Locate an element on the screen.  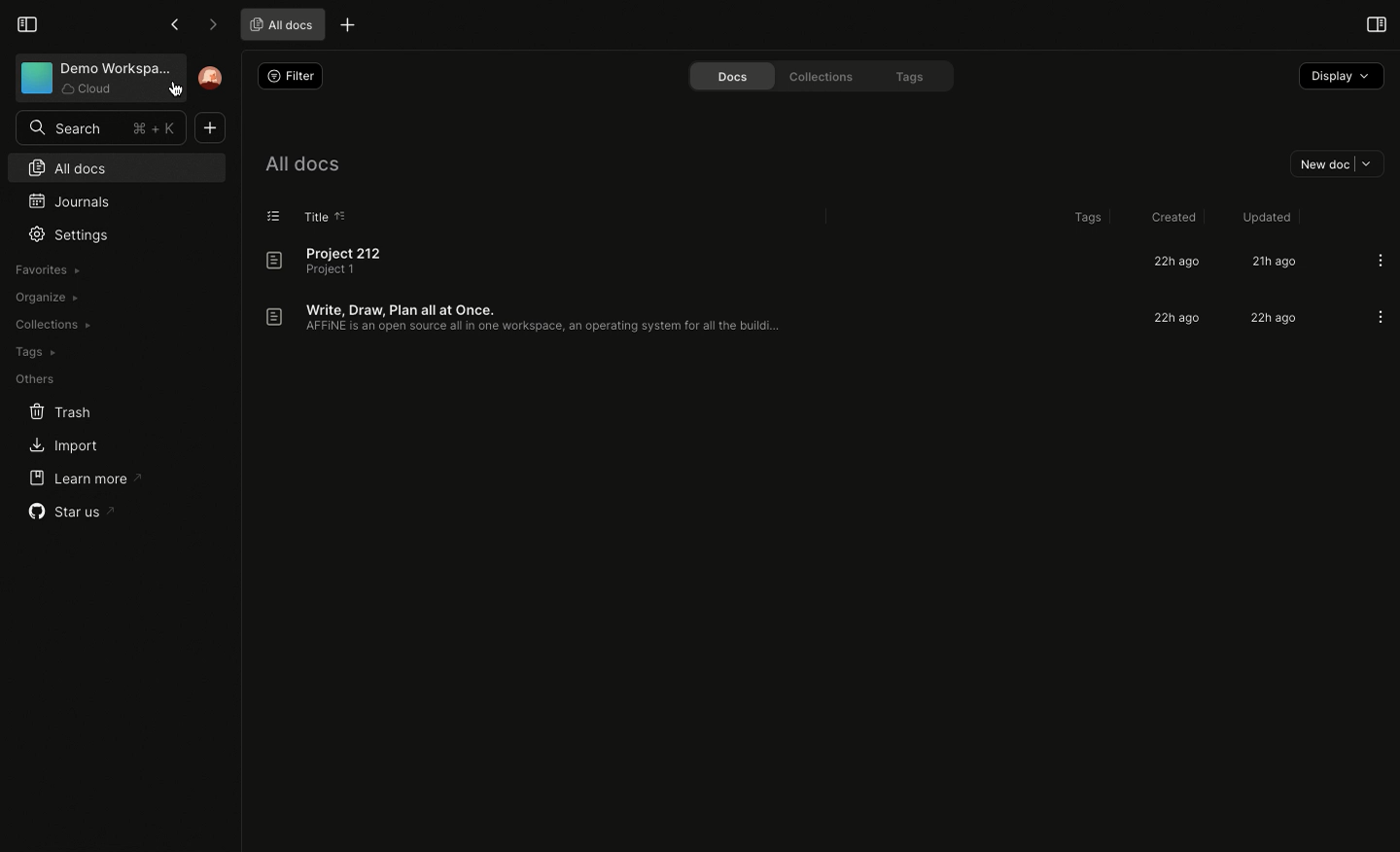
Tags is located at coordinates (34, 352).